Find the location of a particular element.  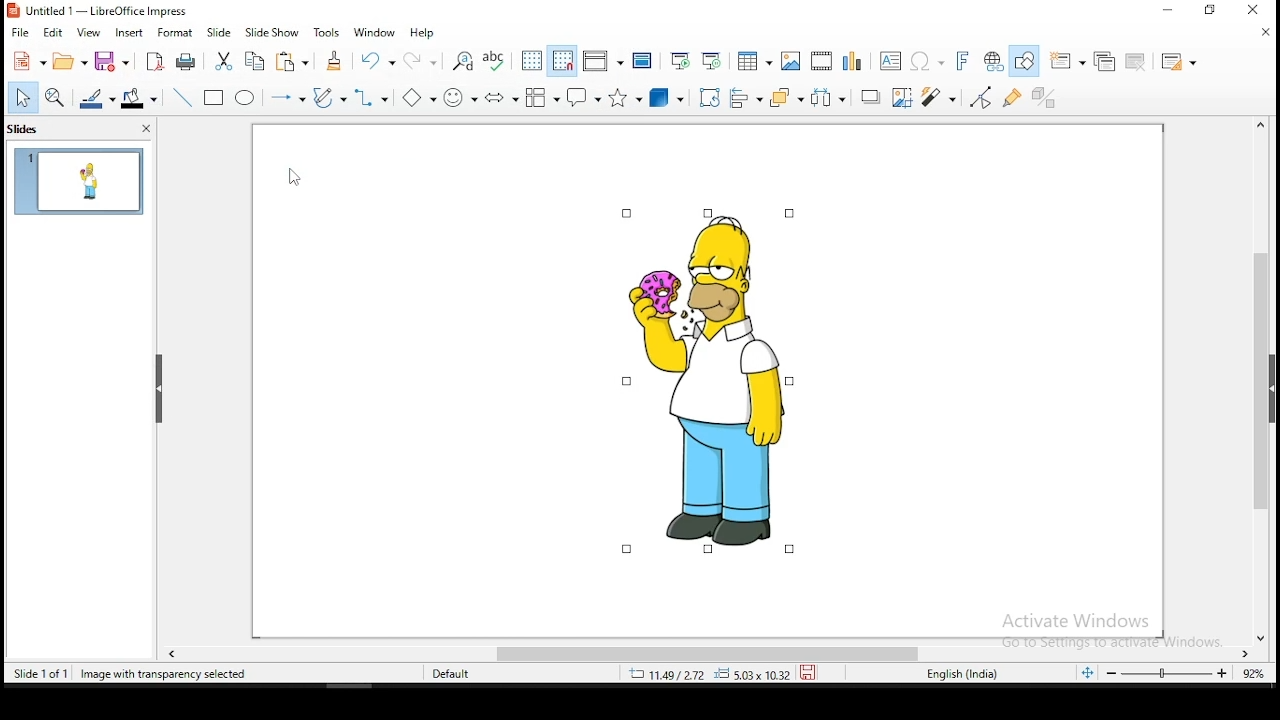

insert is located at coordinates (127, 32).